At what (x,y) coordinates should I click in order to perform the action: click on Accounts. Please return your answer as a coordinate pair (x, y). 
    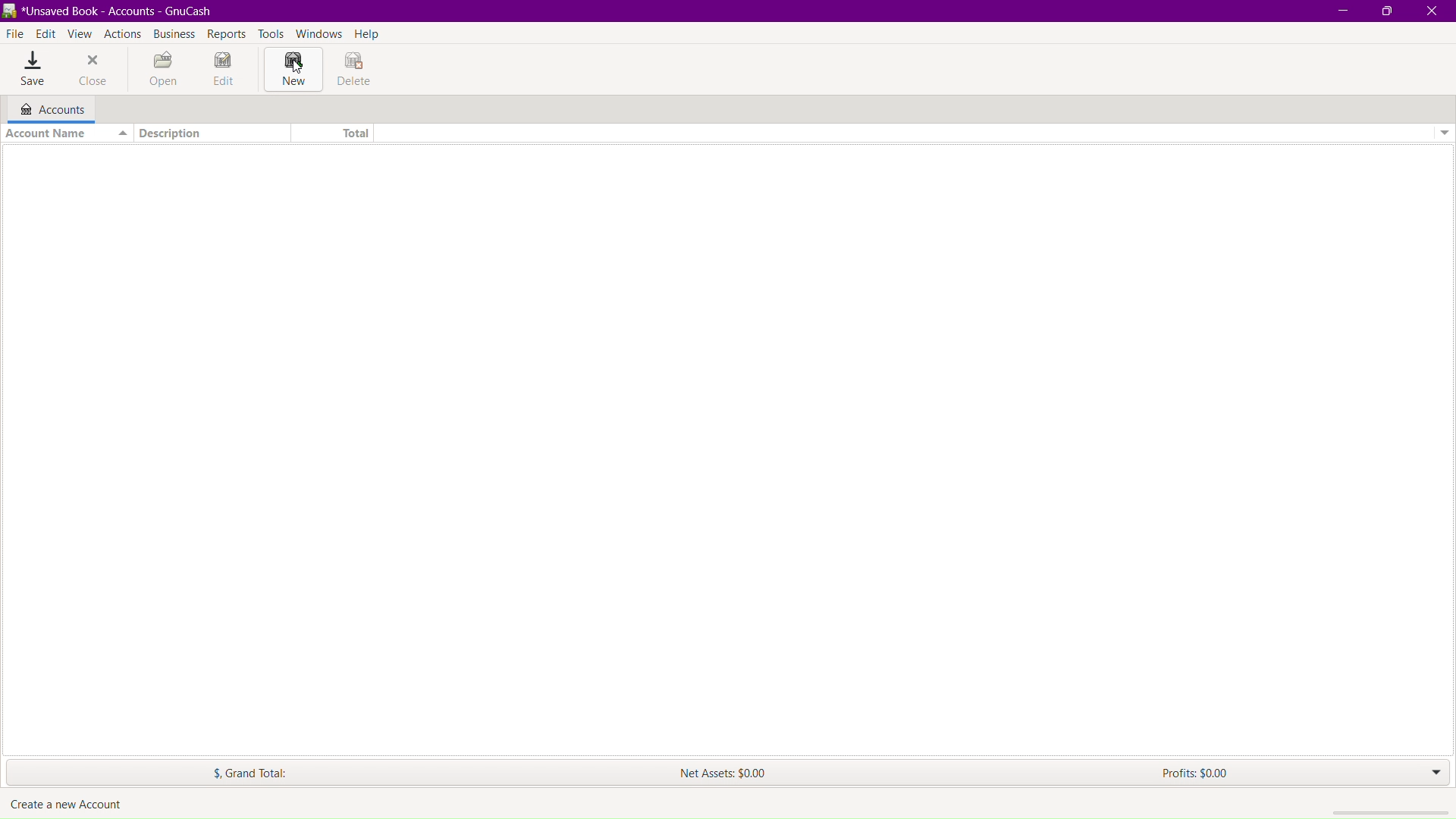
    Looking at the image, I should click on (47, 109).